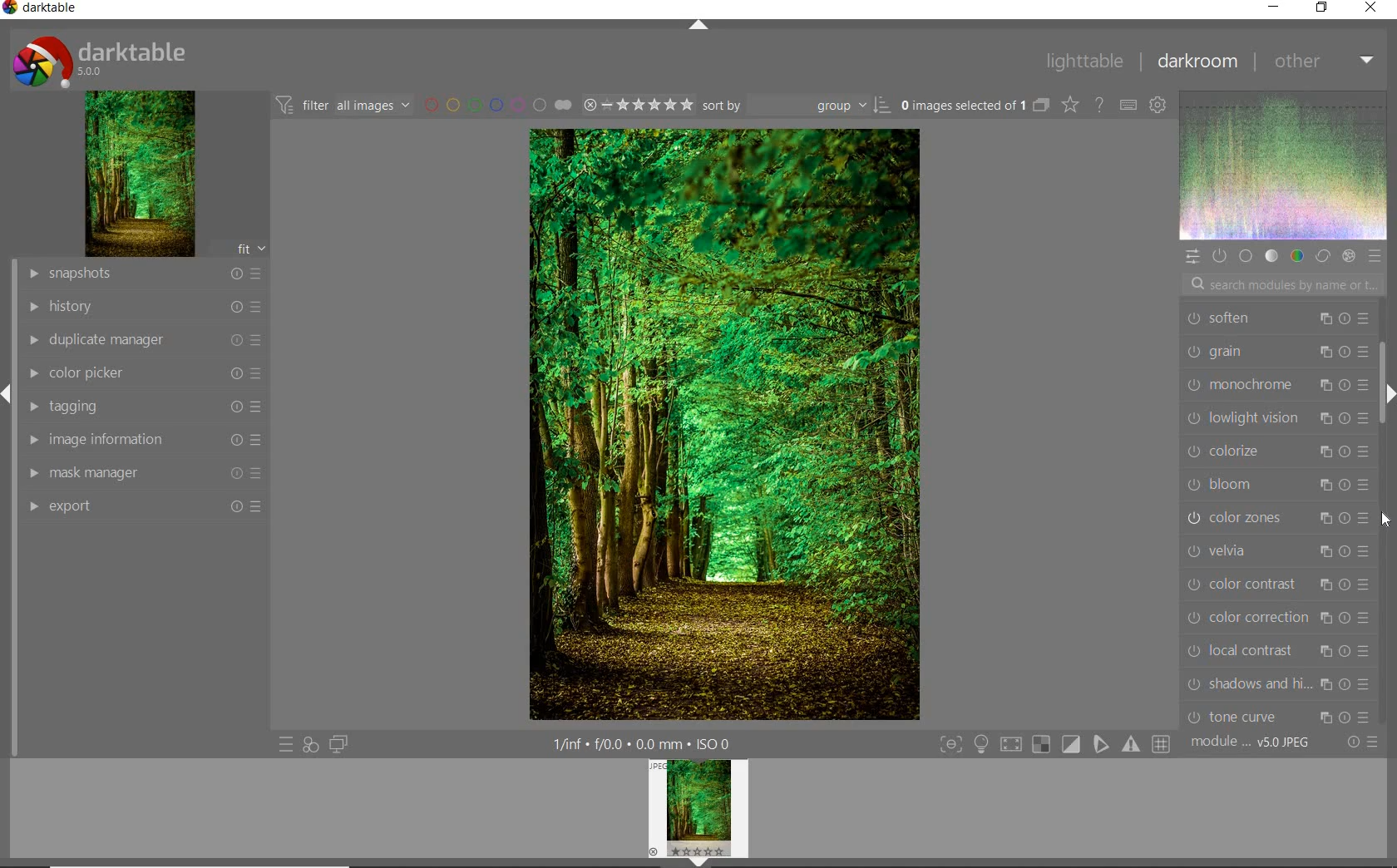 This screenshot has width=1397, height=868. What do you see at coordinates (143, 338) in the screenshot?
I see `DUPLICATE MANAGER` at bounding box center [143, 338].